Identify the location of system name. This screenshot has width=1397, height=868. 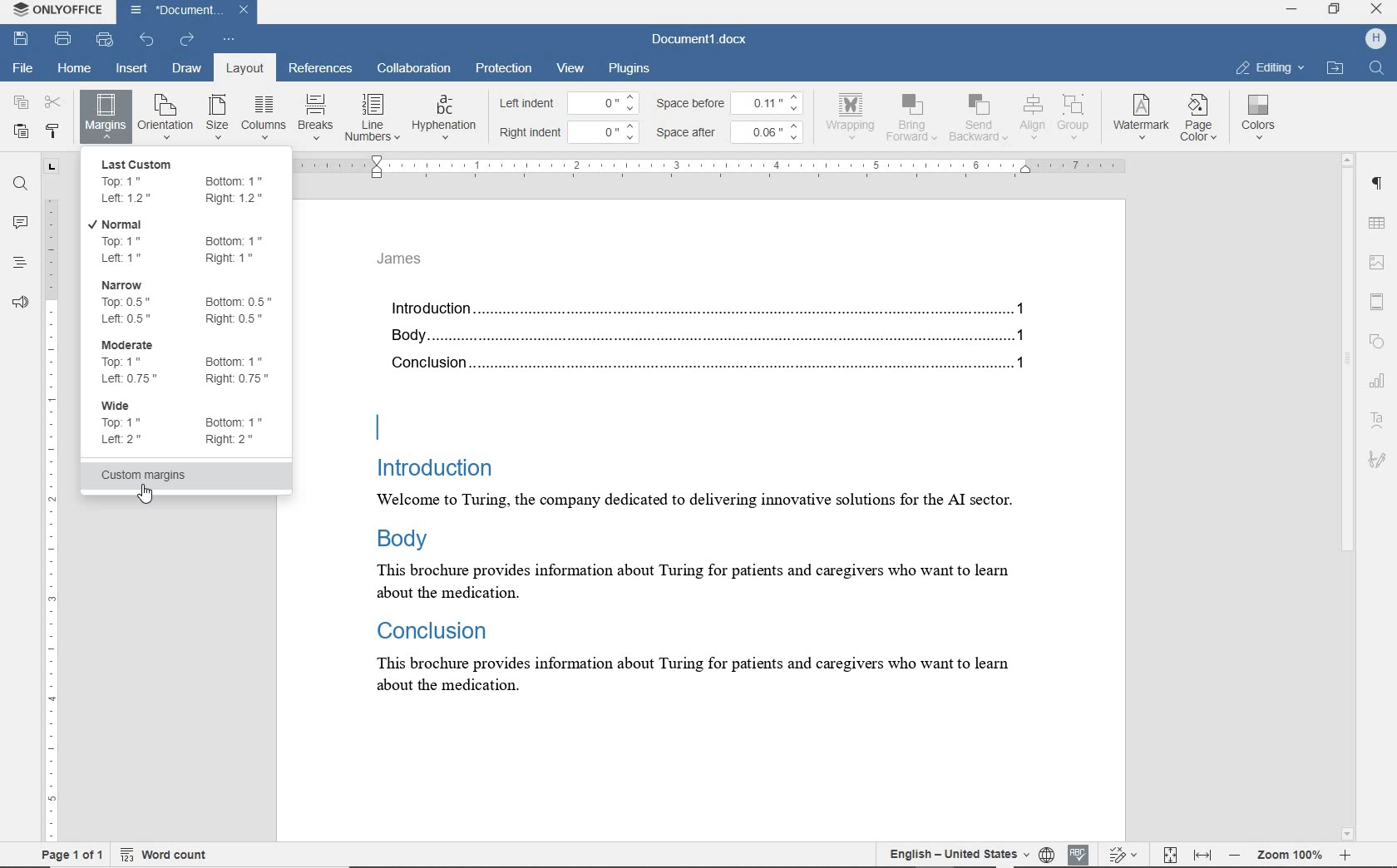
(60, 12).